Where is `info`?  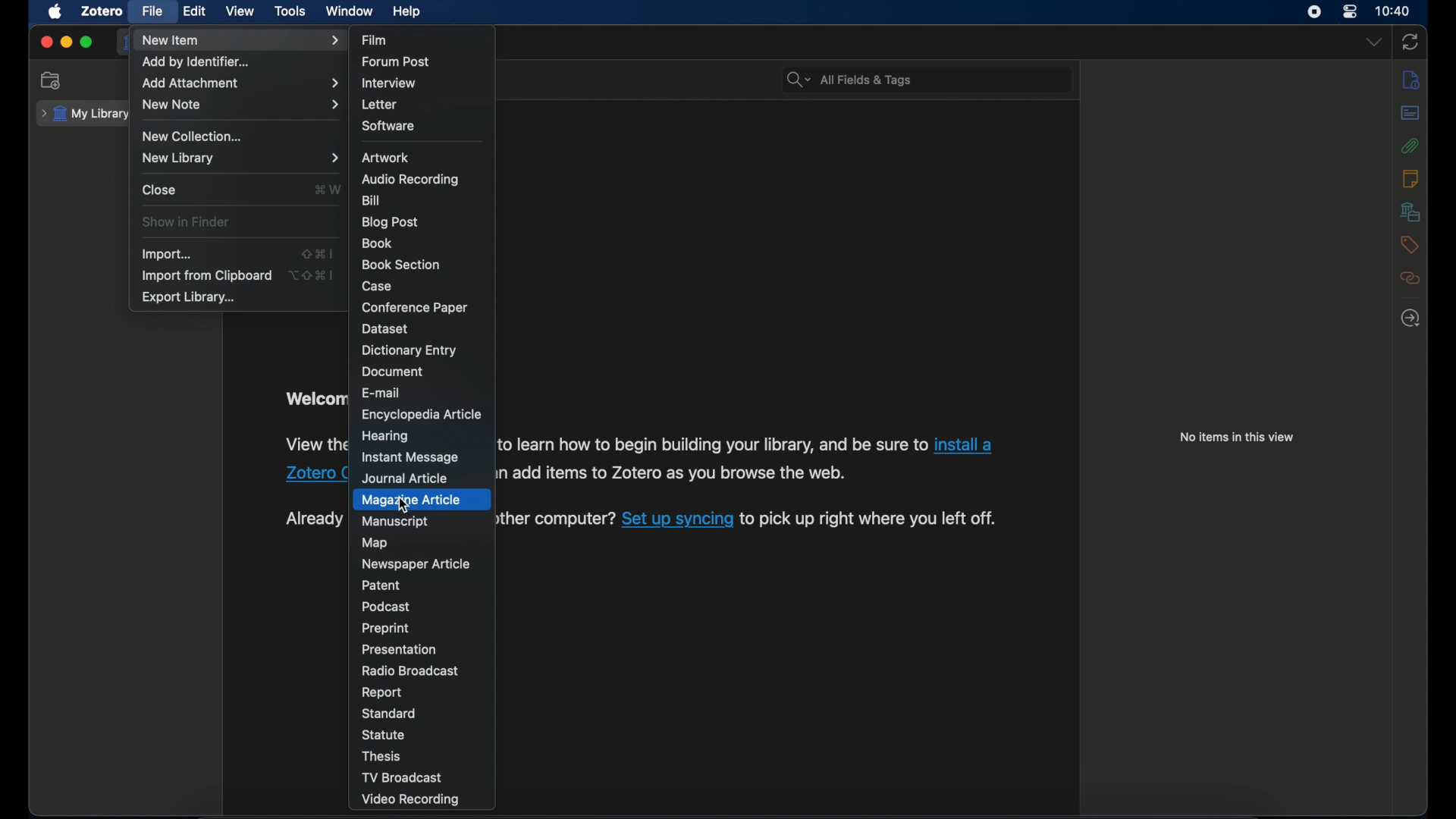
info is located at coordinates (1412, 81).